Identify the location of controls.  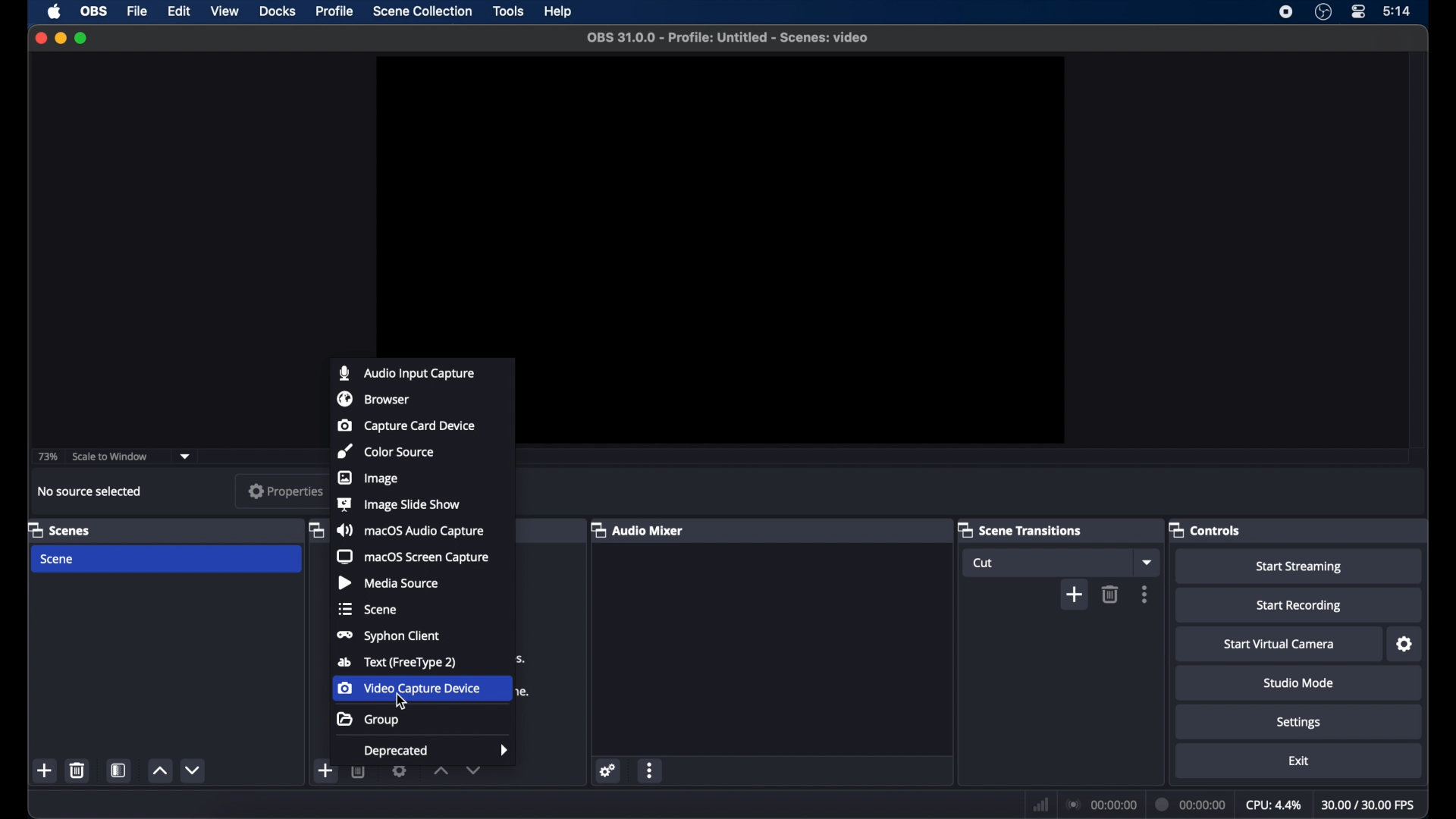
(1205, 529).